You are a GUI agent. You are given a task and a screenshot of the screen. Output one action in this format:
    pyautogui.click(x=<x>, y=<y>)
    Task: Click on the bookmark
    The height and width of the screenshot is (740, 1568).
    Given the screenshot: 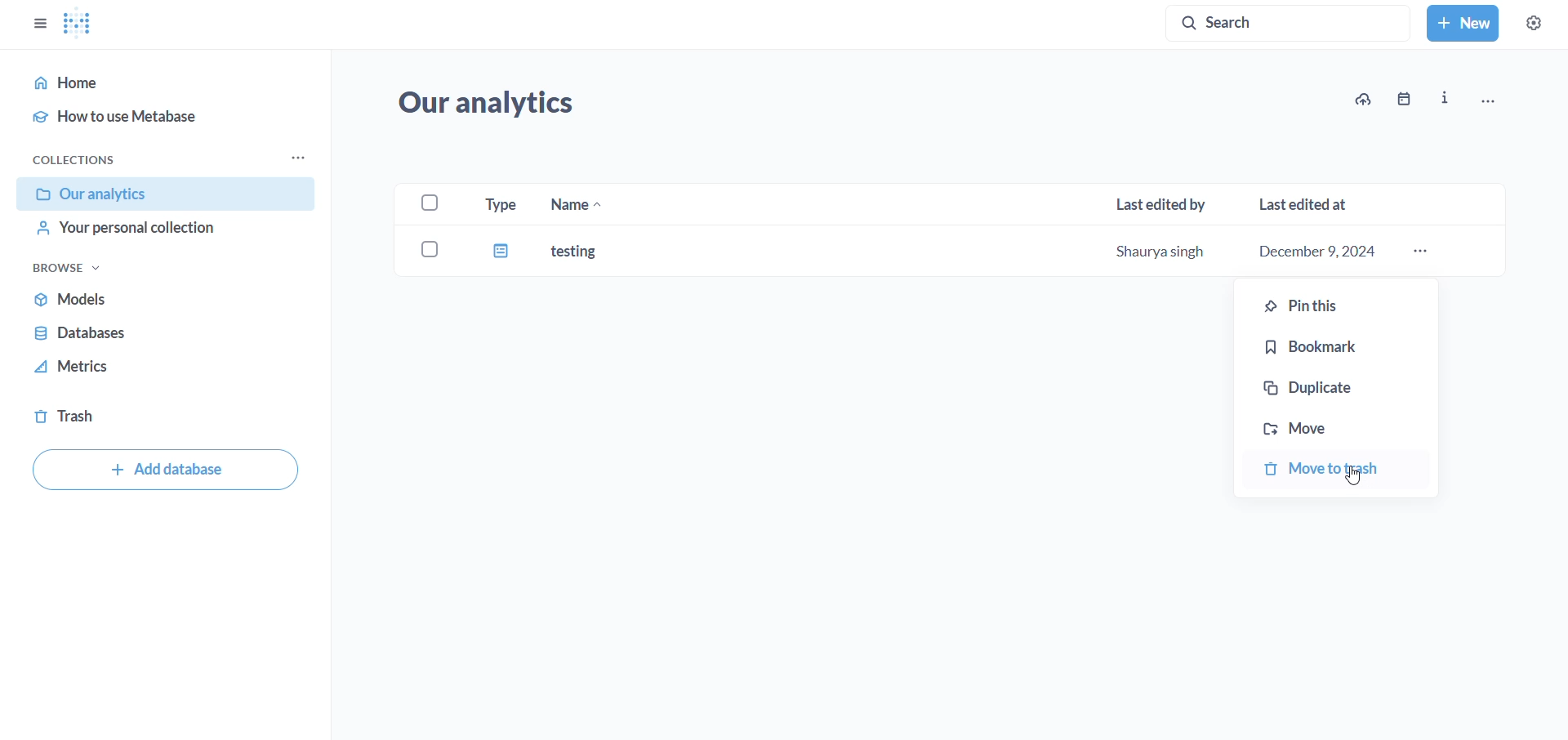 What is the action you would take?
    pyautogui.click(x=1347, y=347)
    